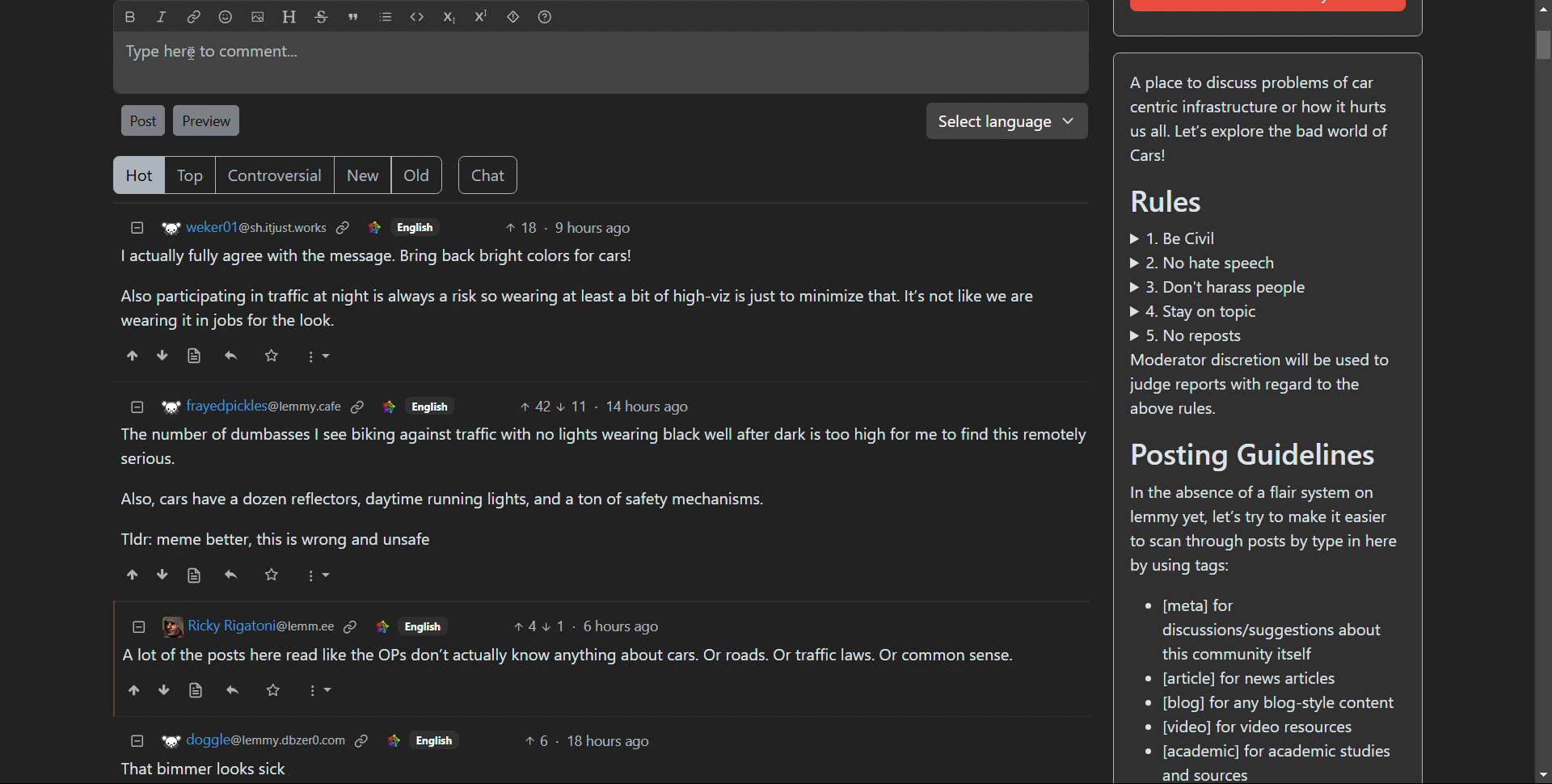 The image size is (1552, 784). Describe the element at coordinates (423, 626) in the screenshot. I see `English.` at that location.